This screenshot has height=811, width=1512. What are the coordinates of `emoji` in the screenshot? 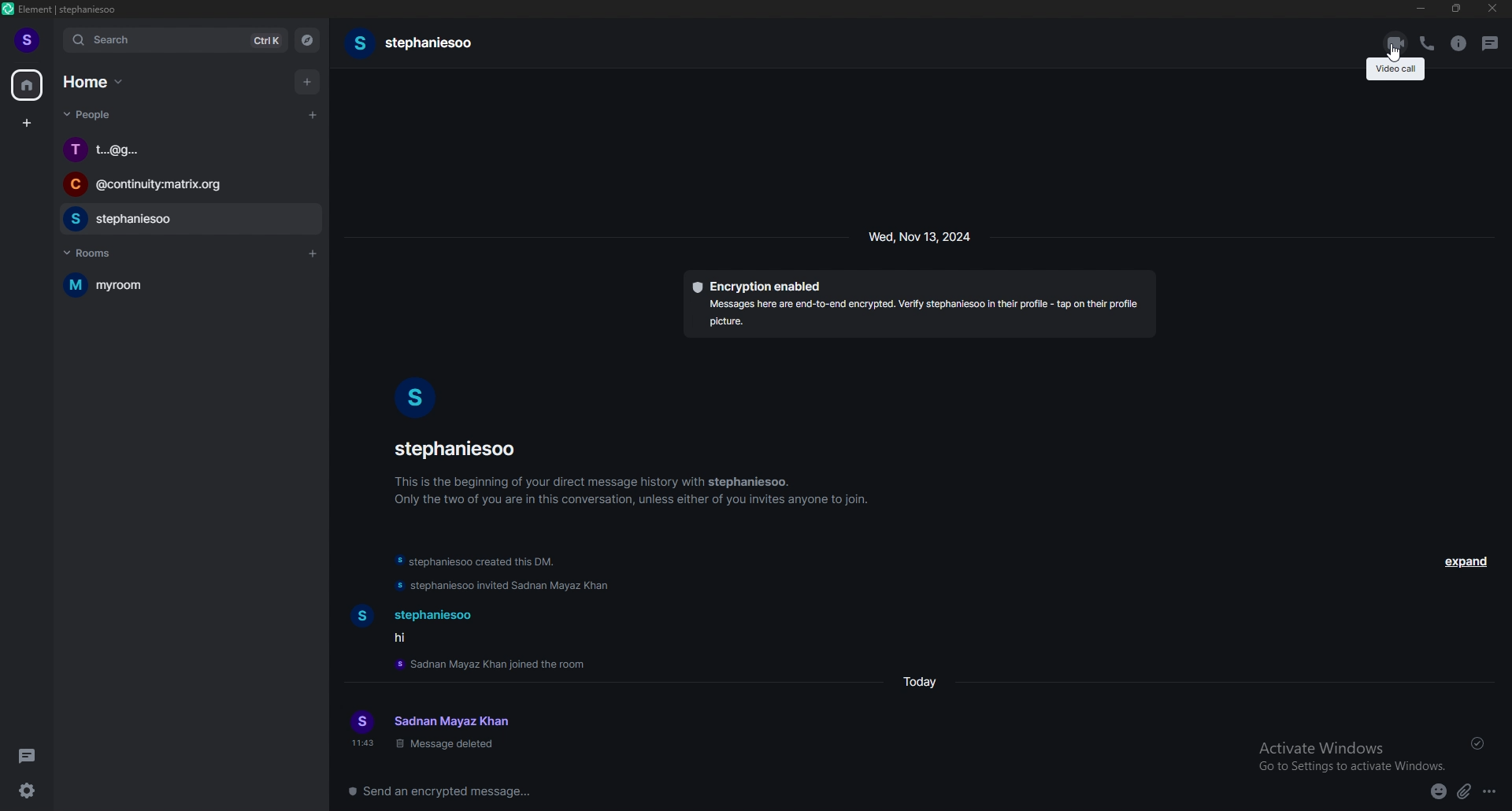 It's located at (1433, 794).